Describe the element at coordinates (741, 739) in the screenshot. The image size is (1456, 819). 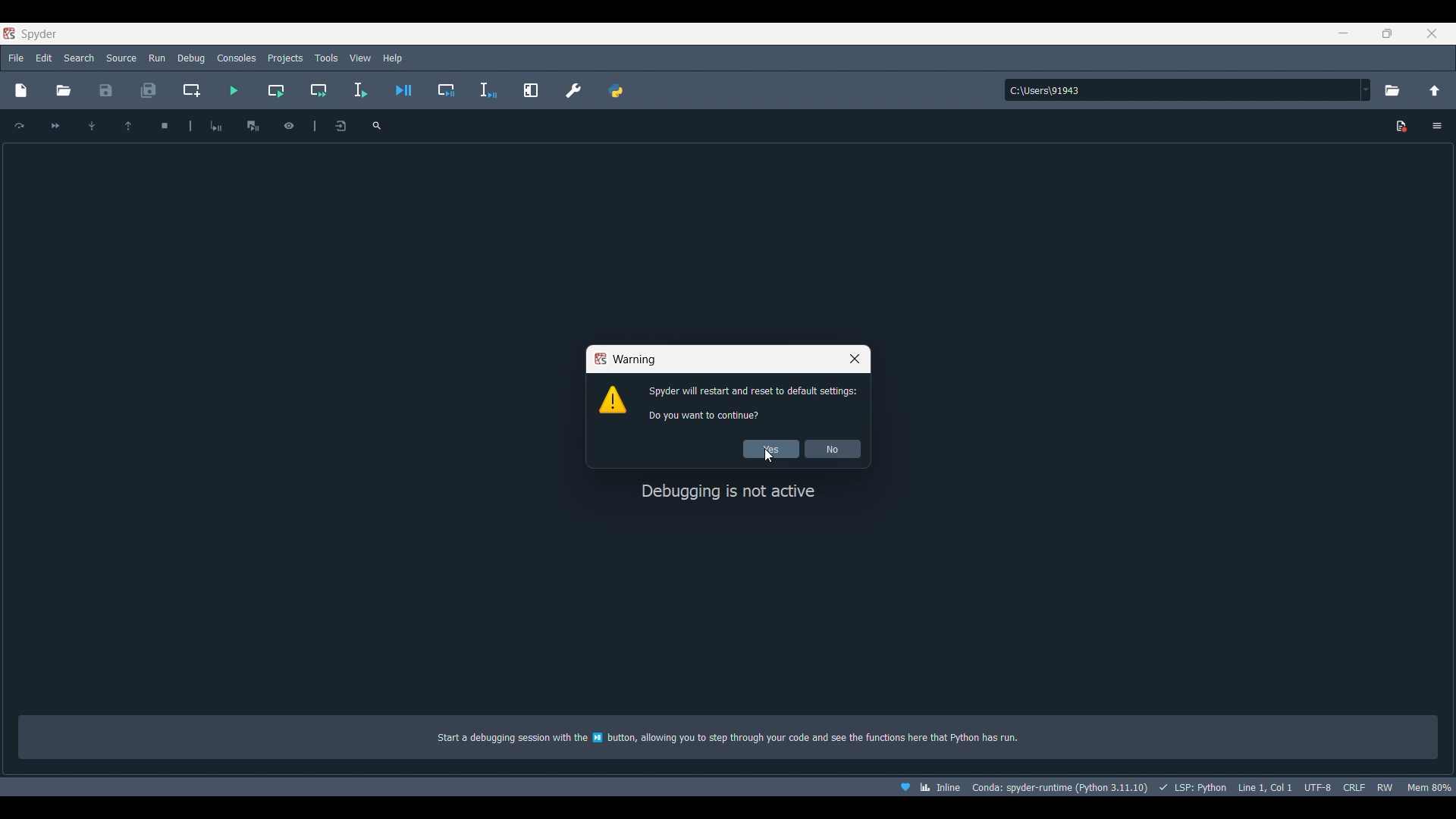
I see `text` at that location.